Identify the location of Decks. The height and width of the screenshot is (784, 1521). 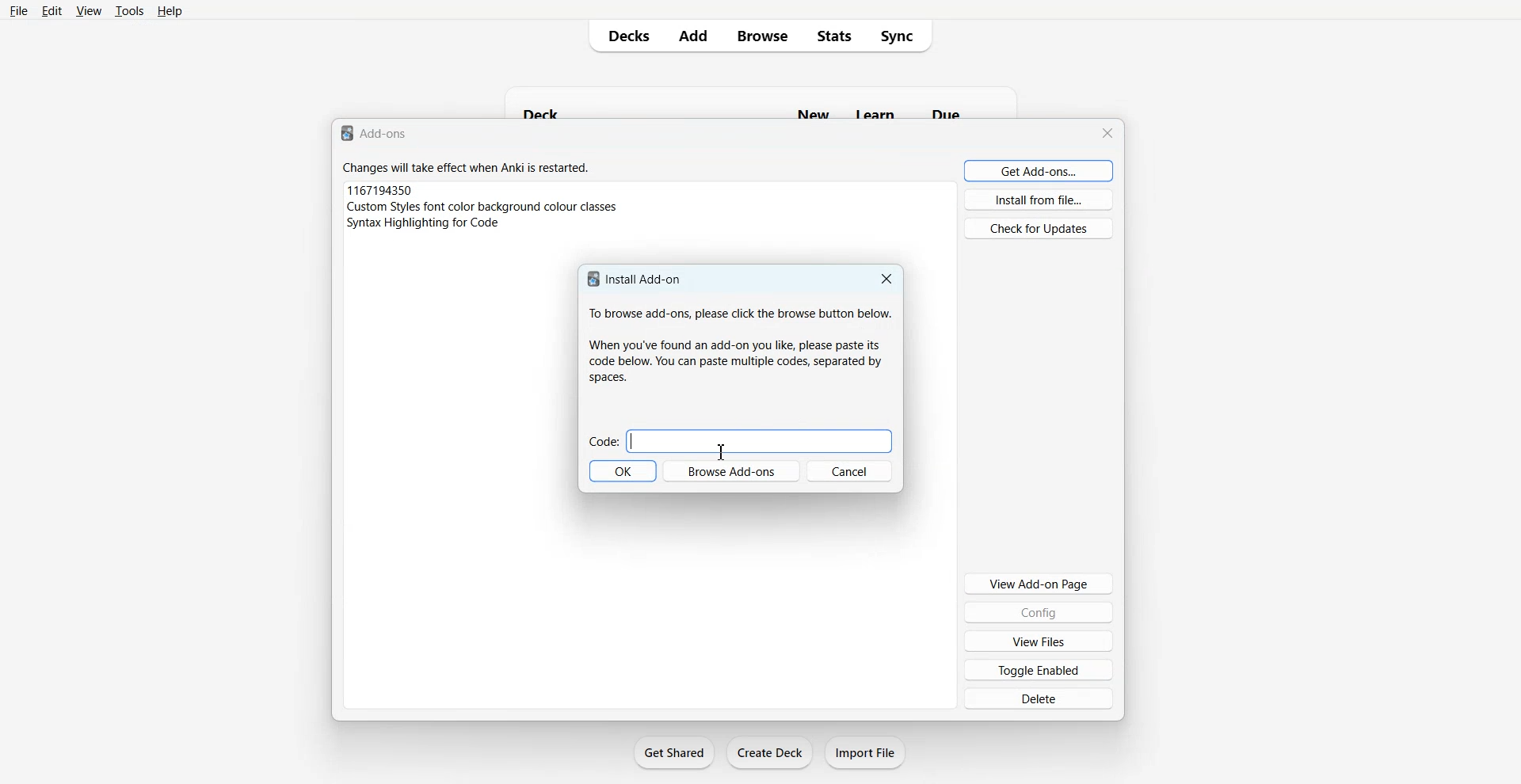
(622, 36).